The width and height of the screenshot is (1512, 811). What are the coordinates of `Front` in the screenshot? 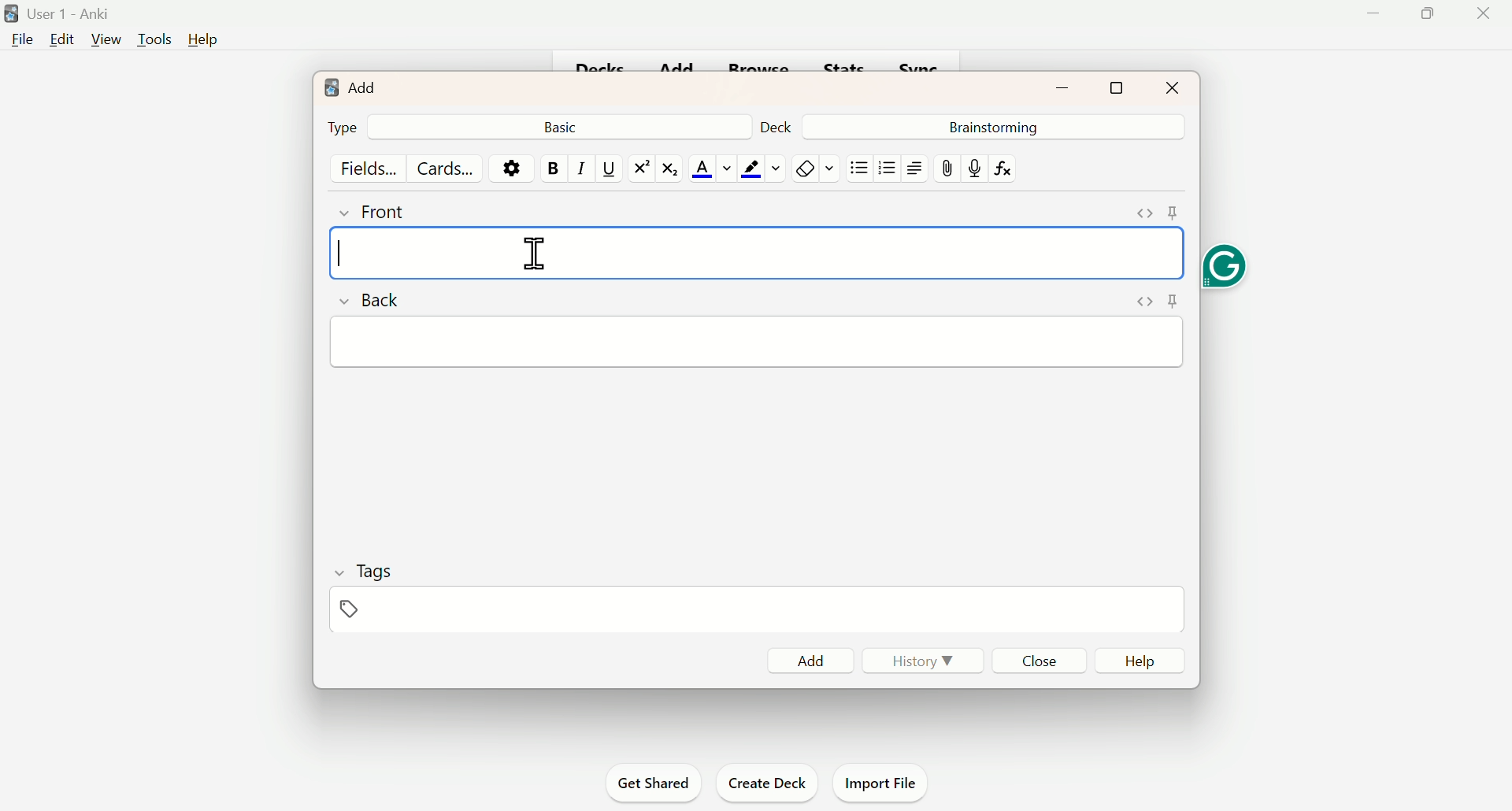 It's located at (388, 209).